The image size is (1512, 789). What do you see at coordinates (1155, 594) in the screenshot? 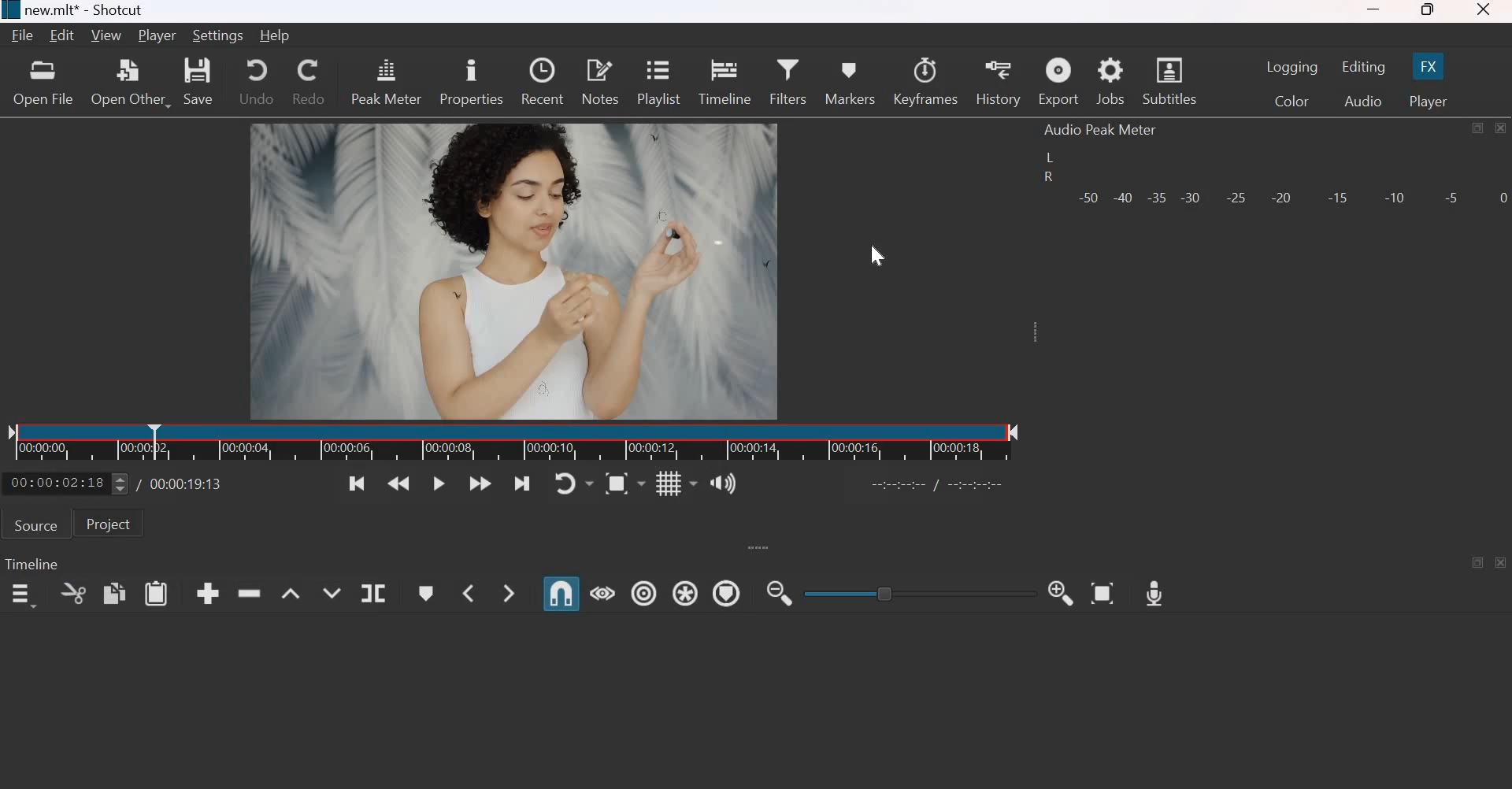
I see `Record Audio` at bounding box center [1155, 594].